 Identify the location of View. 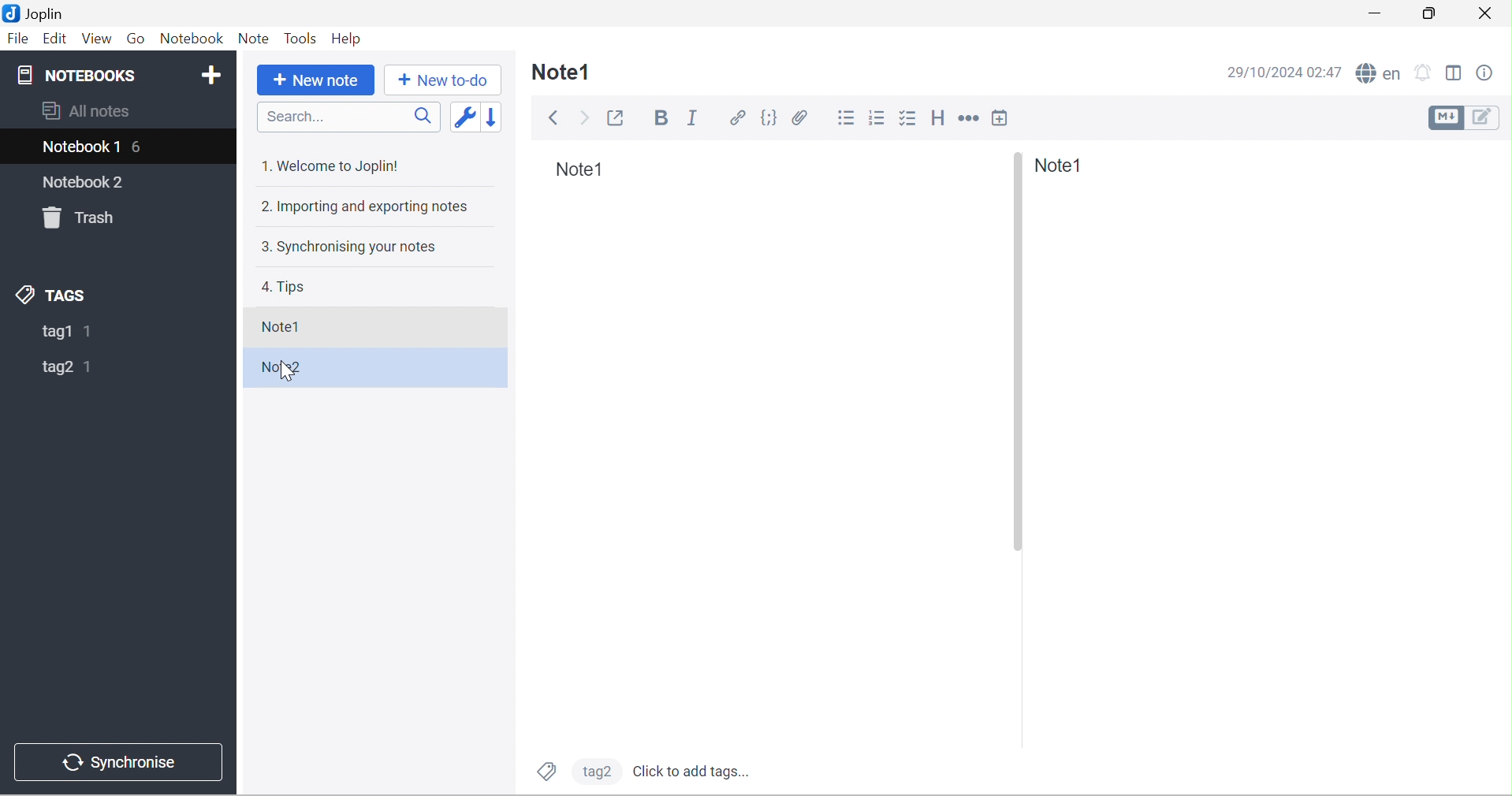
(99, 39).